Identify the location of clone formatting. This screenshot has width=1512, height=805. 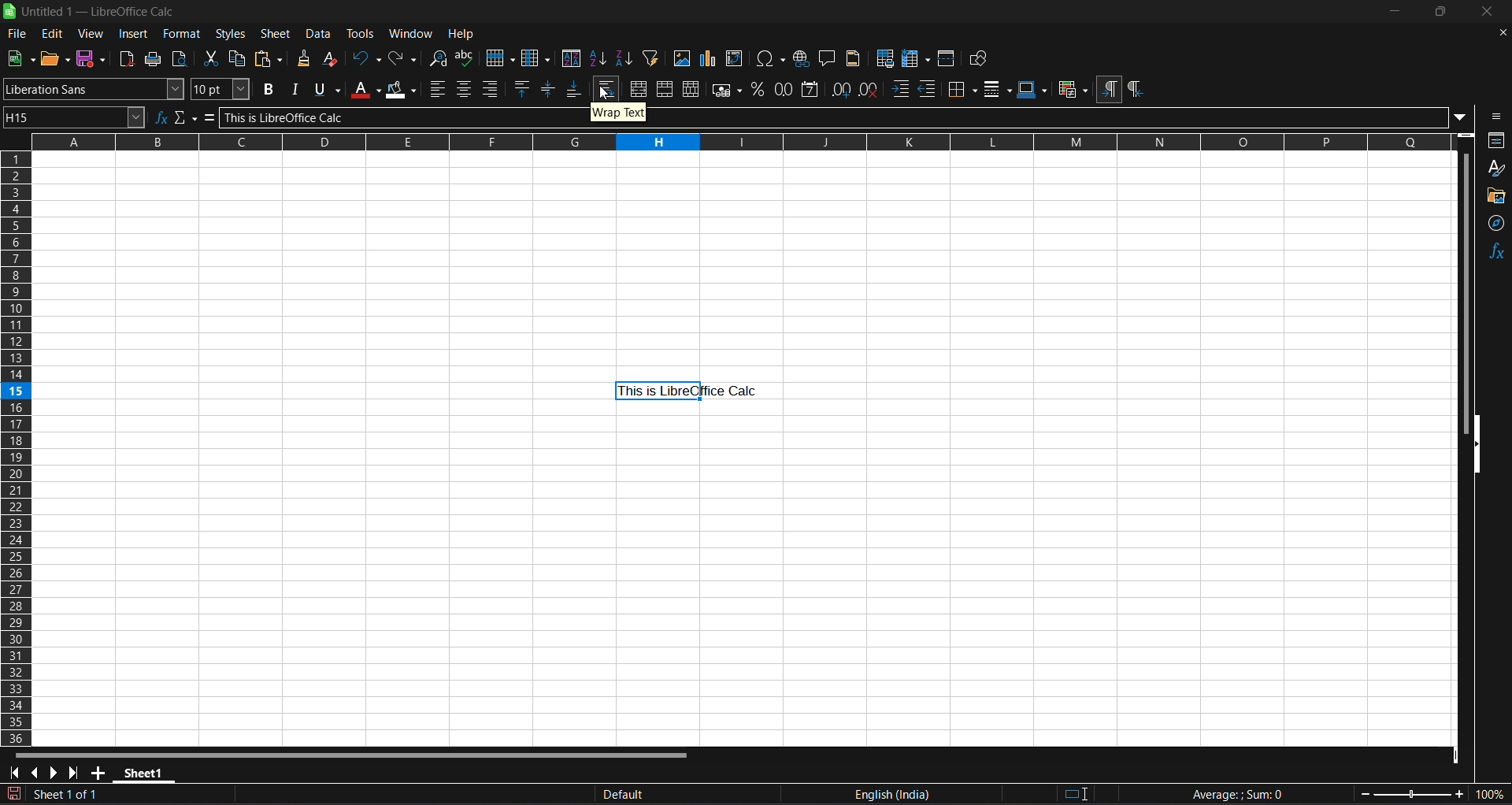
(304, 57).